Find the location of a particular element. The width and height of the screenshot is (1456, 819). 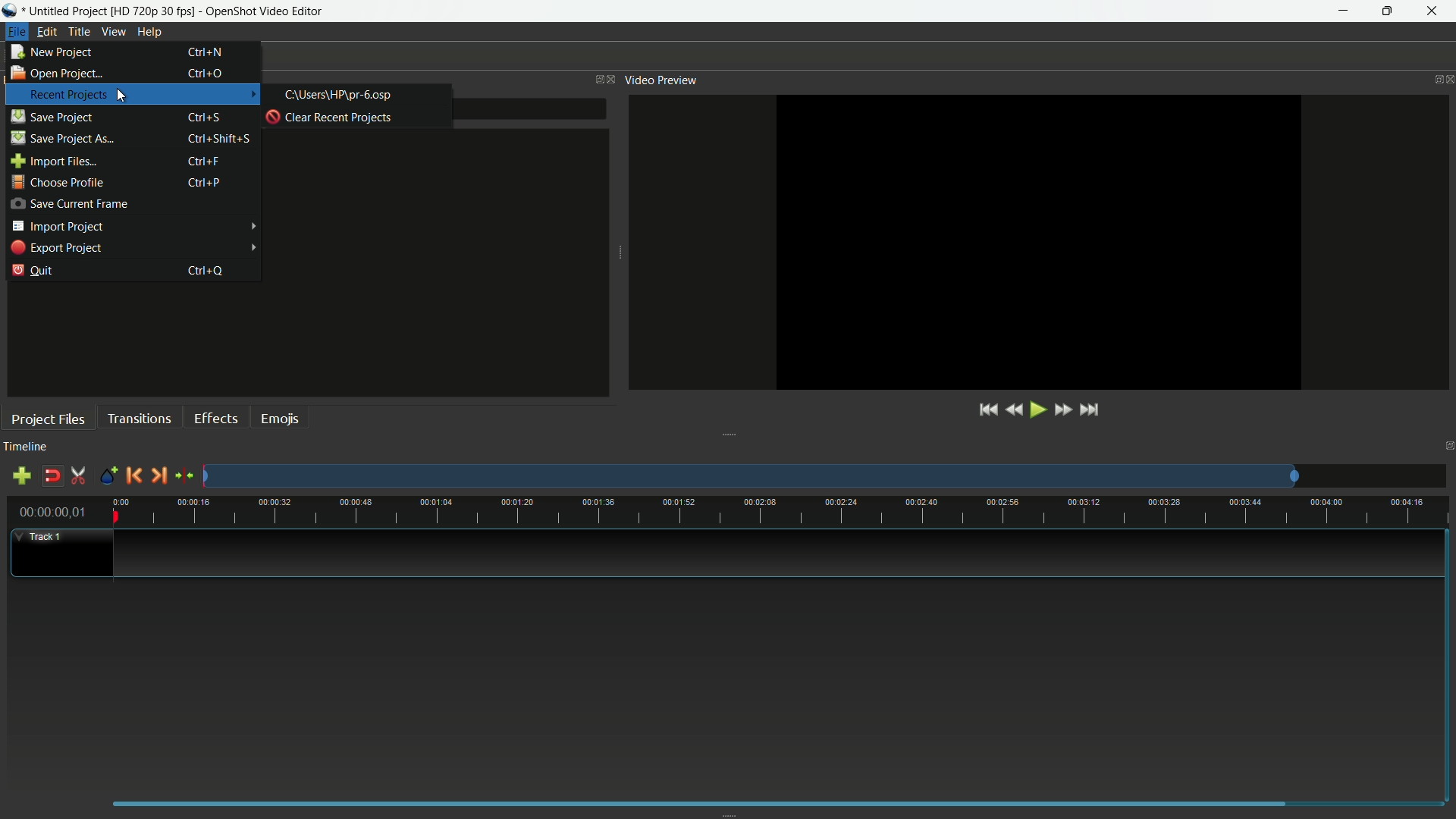

play or pause is located at coordinates (1037, 411).